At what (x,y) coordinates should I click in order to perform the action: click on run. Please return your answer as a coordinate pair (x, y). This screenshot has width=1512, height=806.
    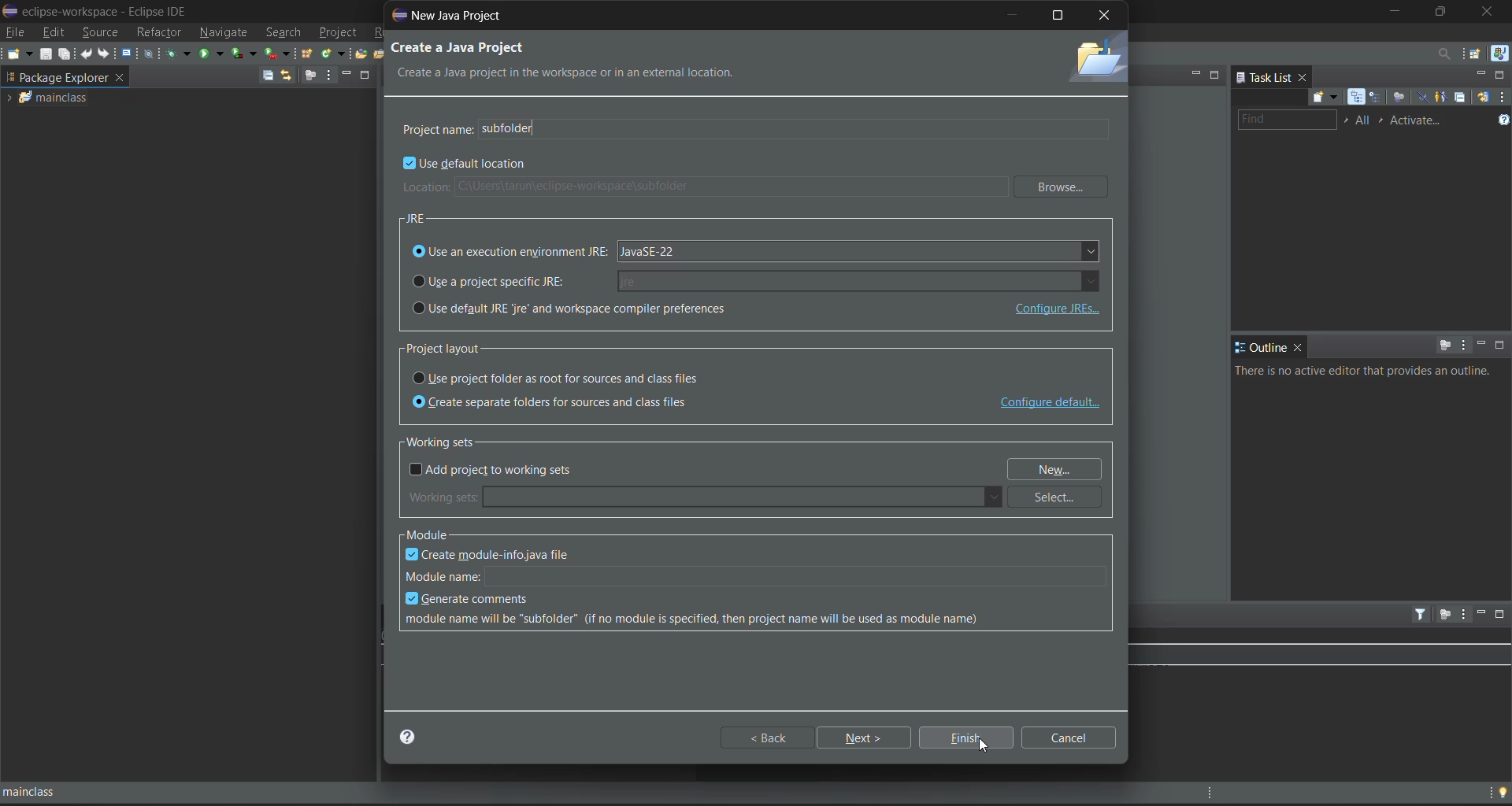
    Looking at the image, I should click on (212, 54).